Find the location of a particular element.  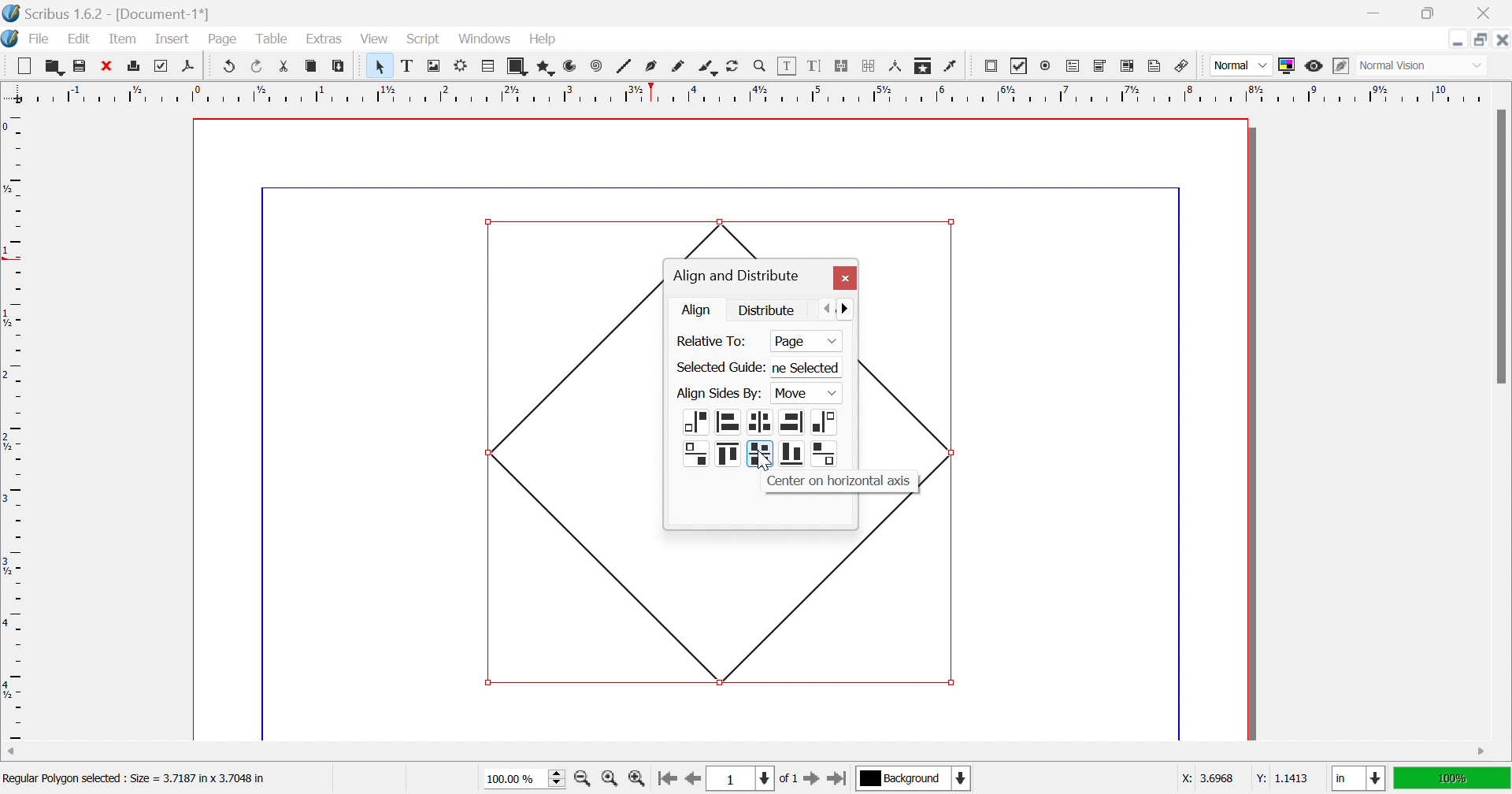

Zoom out by the stepping value in Tools preferences is located at coordinates (584, 781).